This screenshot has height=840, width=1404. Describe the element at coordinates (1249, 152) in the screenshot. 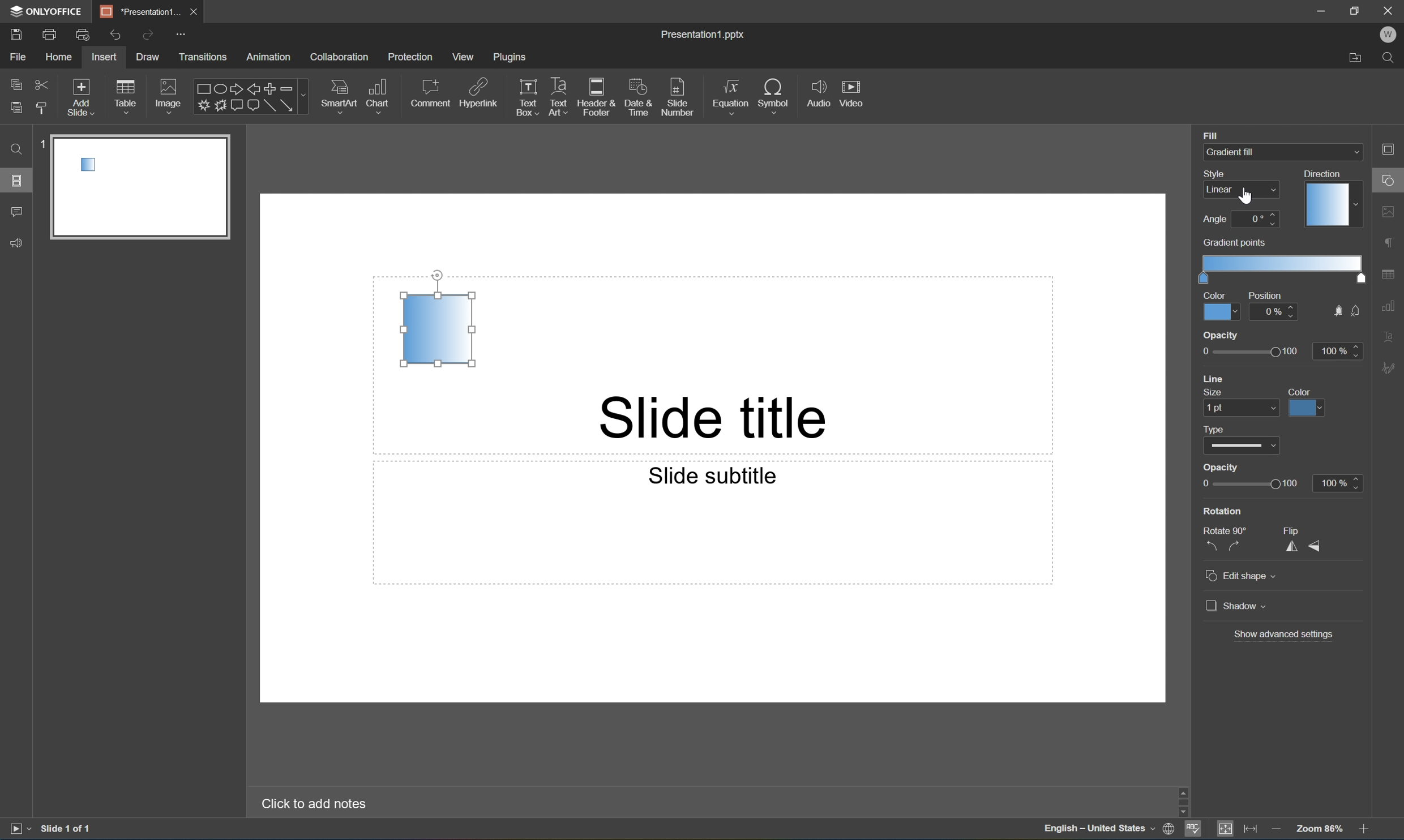

I see `Gradient fill` at that location.